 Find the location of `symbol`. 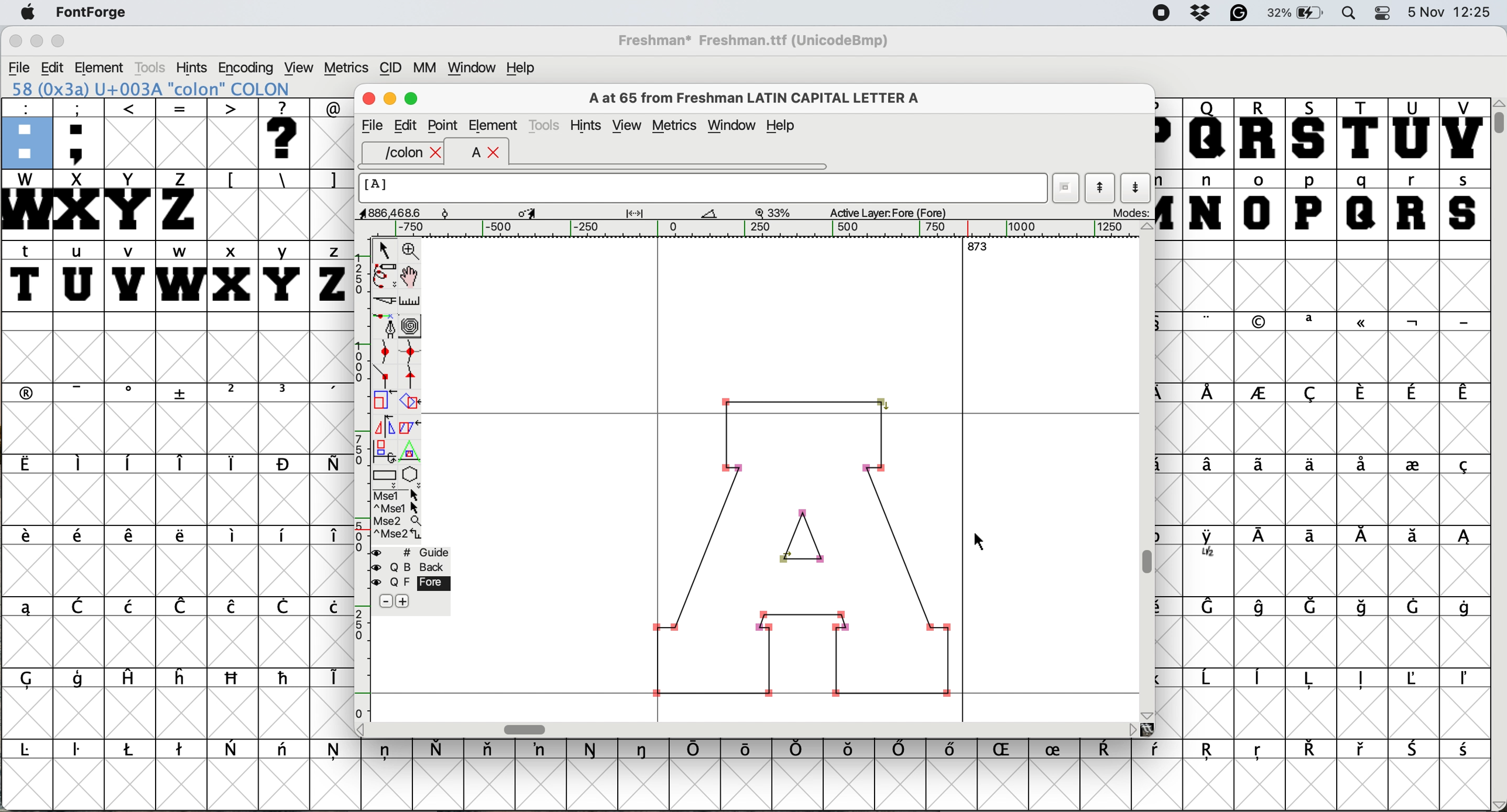

symbol is located at coordinates (1361, 679).